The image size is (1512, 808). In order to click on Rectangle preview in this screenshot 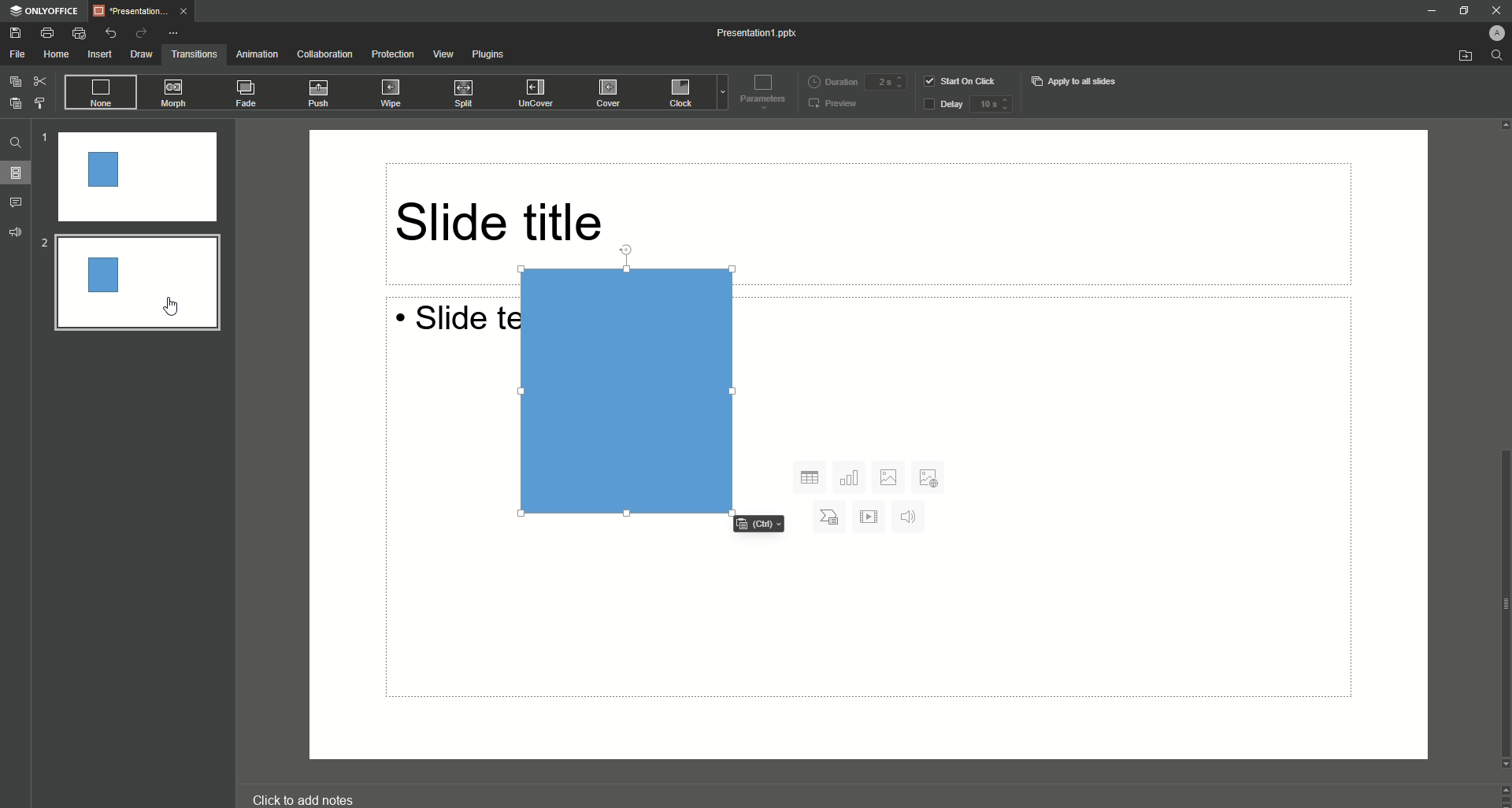, I will do `click(135, 285)`.